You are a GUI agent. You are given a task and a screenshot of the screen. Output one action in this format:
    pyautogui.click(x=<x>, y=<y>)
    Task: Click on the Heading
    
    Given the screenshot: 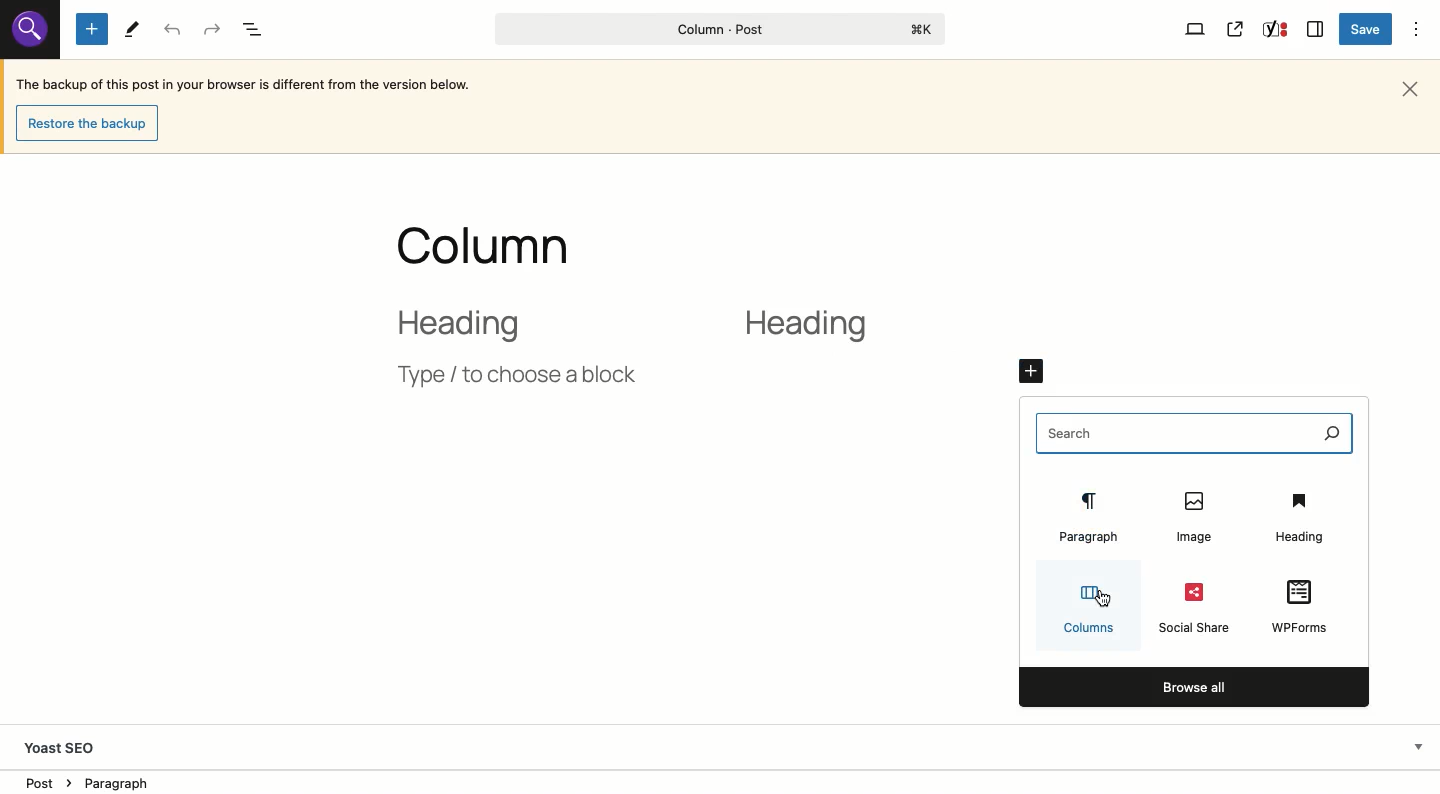 What is the action you would take?
    pyautogui.click(x=1304, y=519)
    